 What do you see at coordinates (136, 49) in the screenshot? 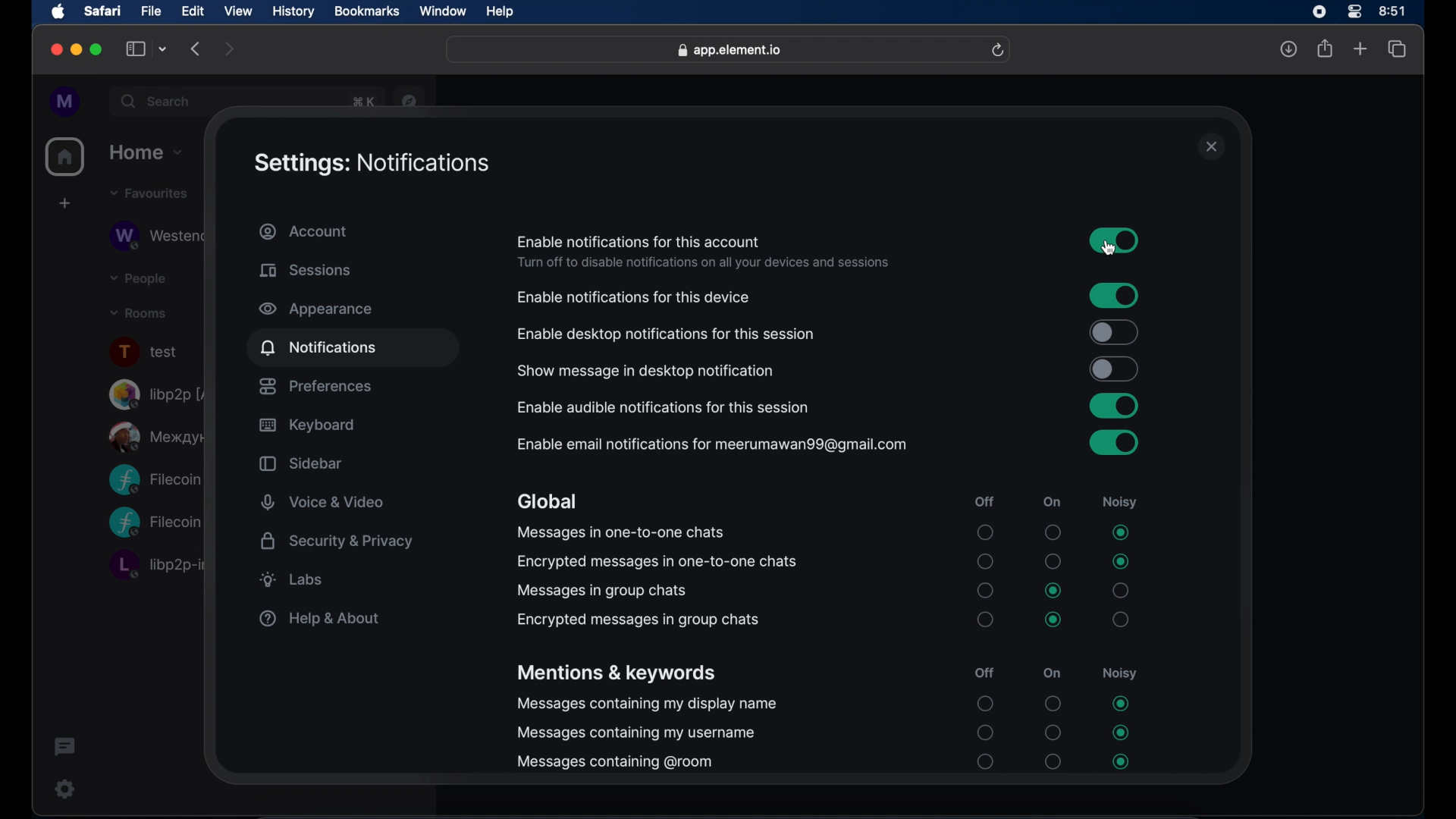
I see `show sidebar` at bounding box center [136, 49].